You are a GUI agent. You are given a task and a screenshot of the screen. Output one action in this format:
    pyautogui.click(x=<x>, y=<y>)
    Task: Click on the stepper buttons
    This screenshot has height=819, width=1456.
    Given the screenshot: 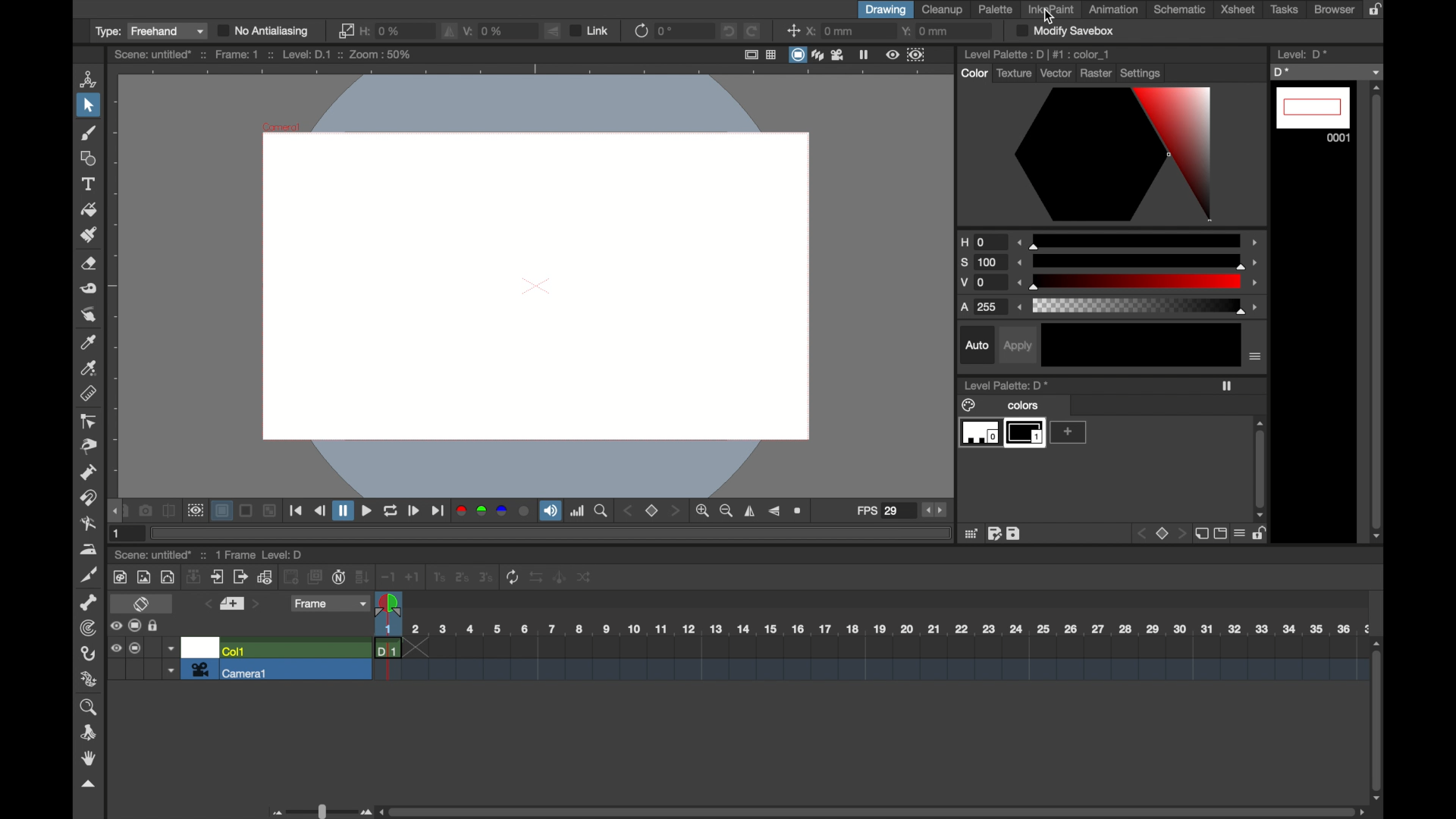 What is the action you would take?
    pyautogui.click(x=936, y=510)
    